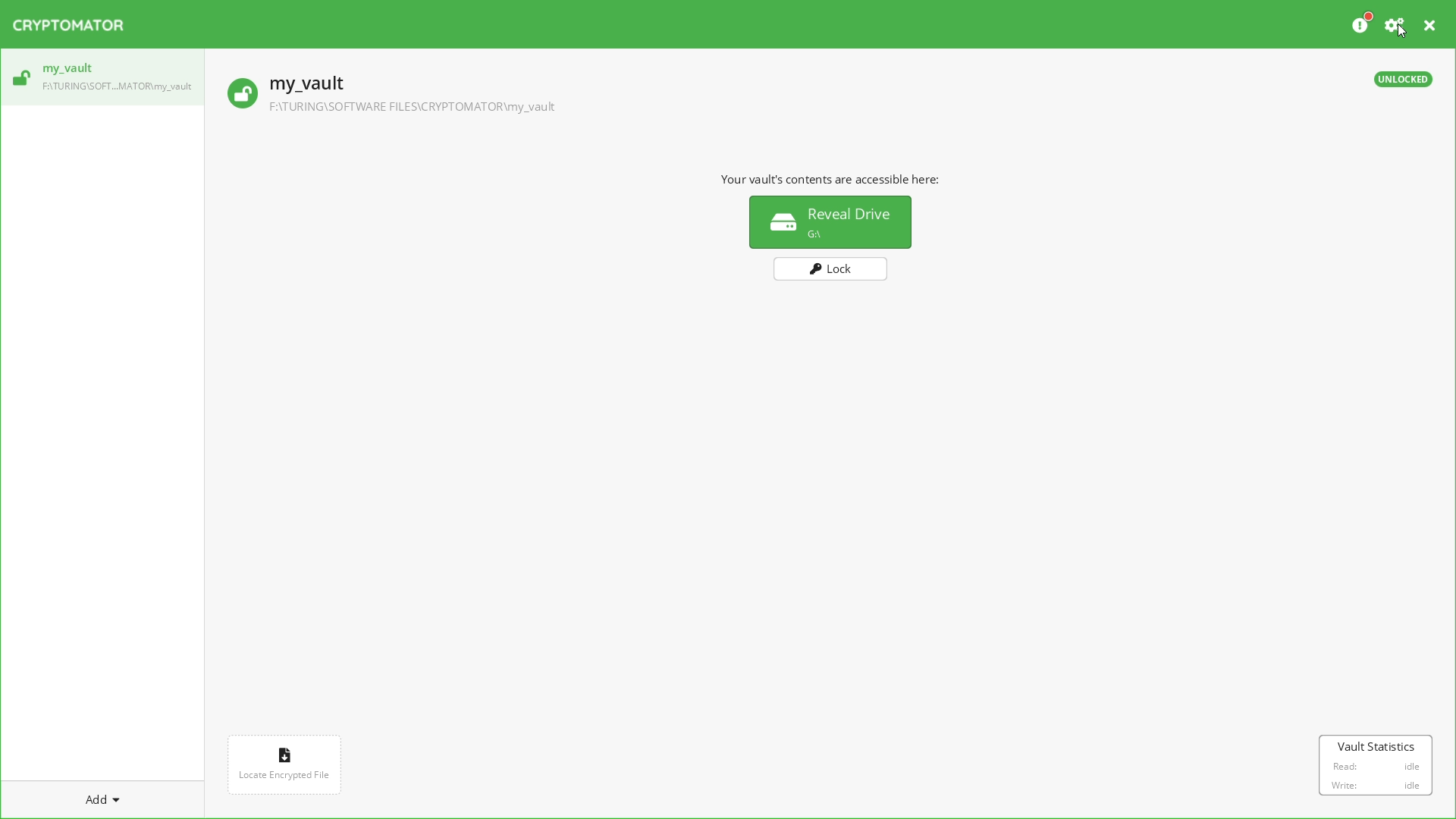 The width and height of the screenshot is (1456, 819). Describe the element at coordinates (1399, 35) in the screenshot. I see `Cursor` at that location.